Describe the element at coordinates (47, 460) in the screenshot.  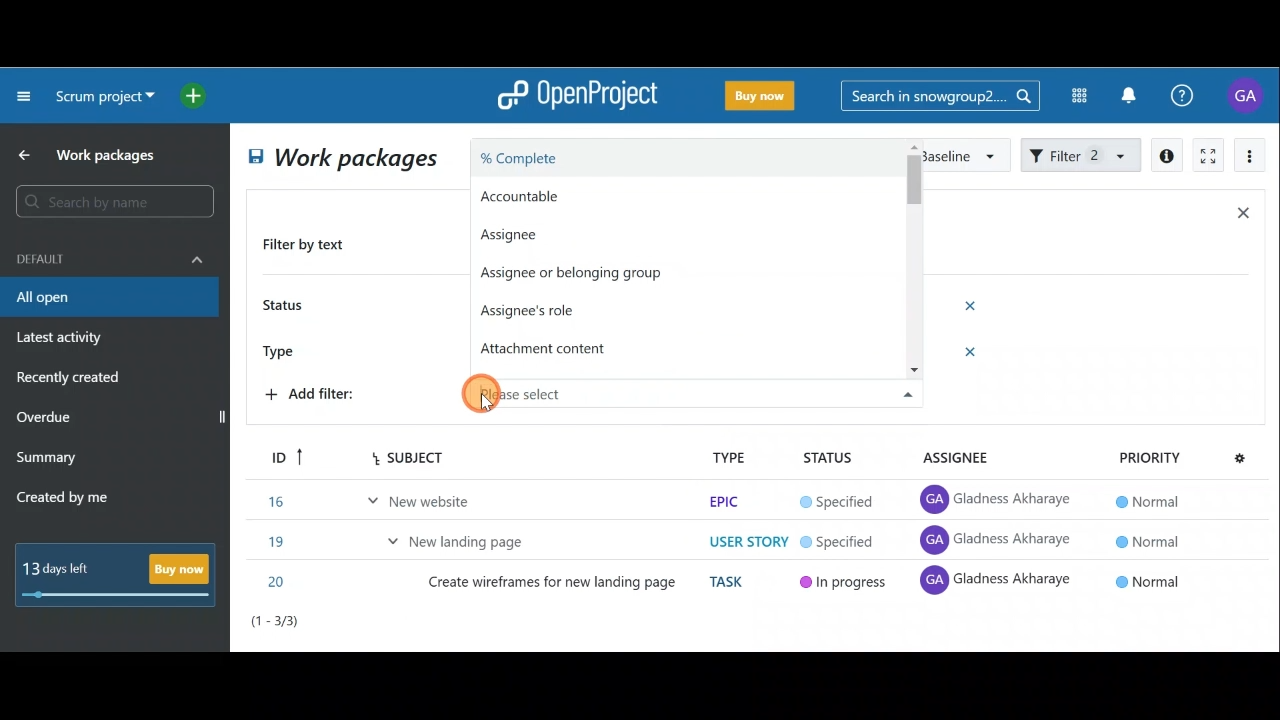
I see `Summary` at that location.